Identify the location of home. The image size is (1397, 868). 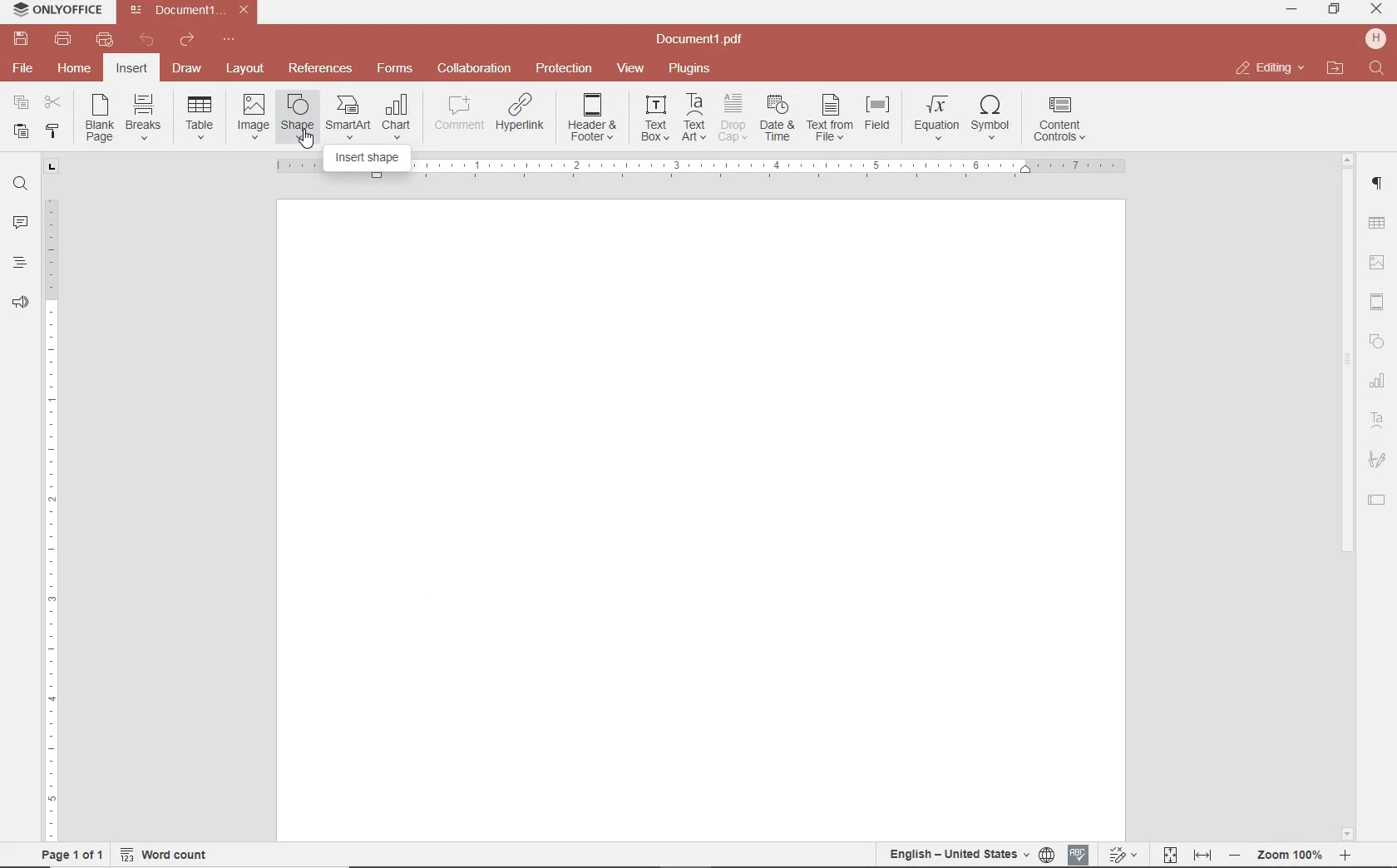
(72, 67).